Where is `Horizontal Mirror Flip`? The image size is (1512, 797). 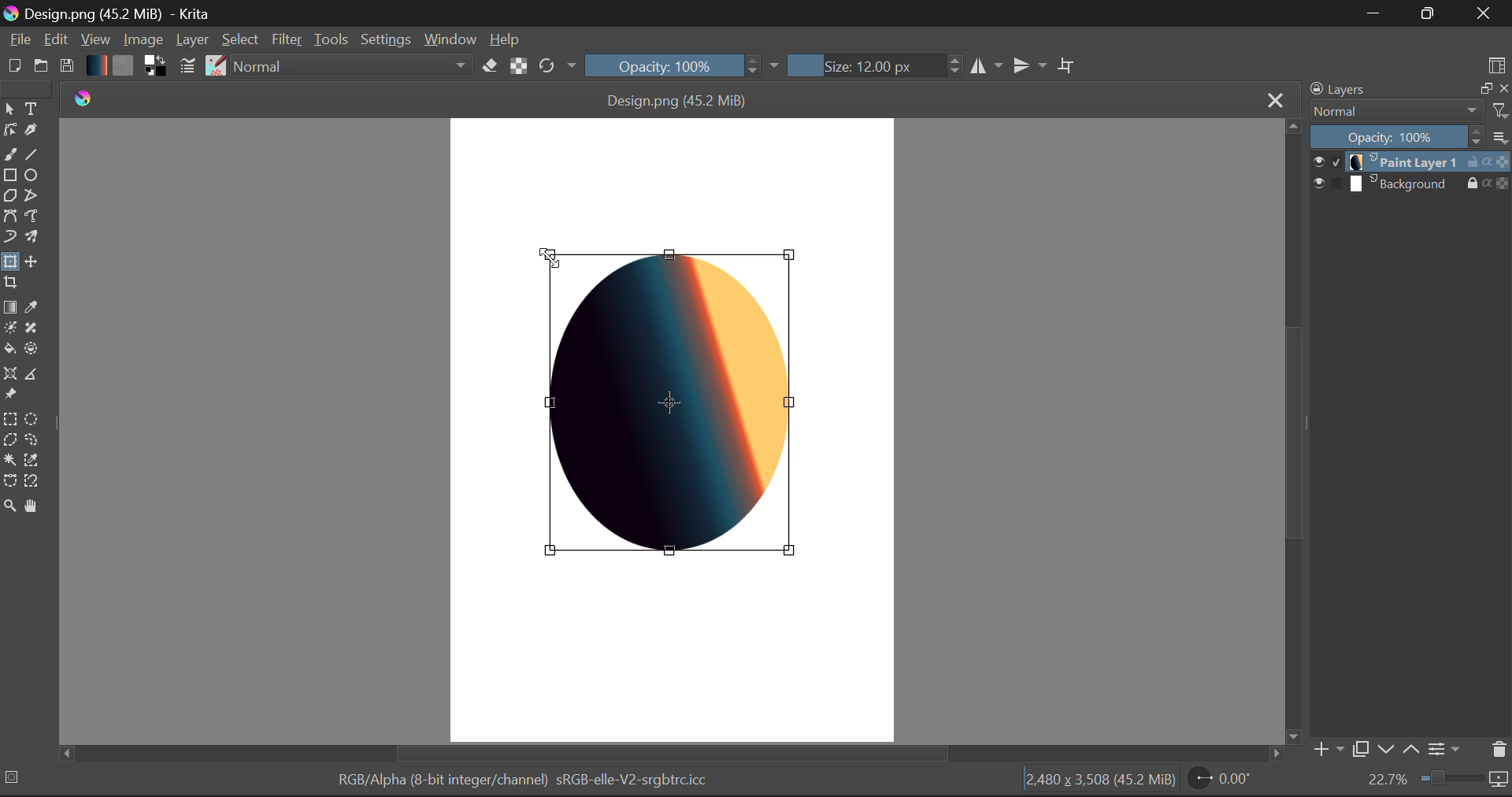 Horizontal Mirror Flip is located at coordinates (1026, 65).